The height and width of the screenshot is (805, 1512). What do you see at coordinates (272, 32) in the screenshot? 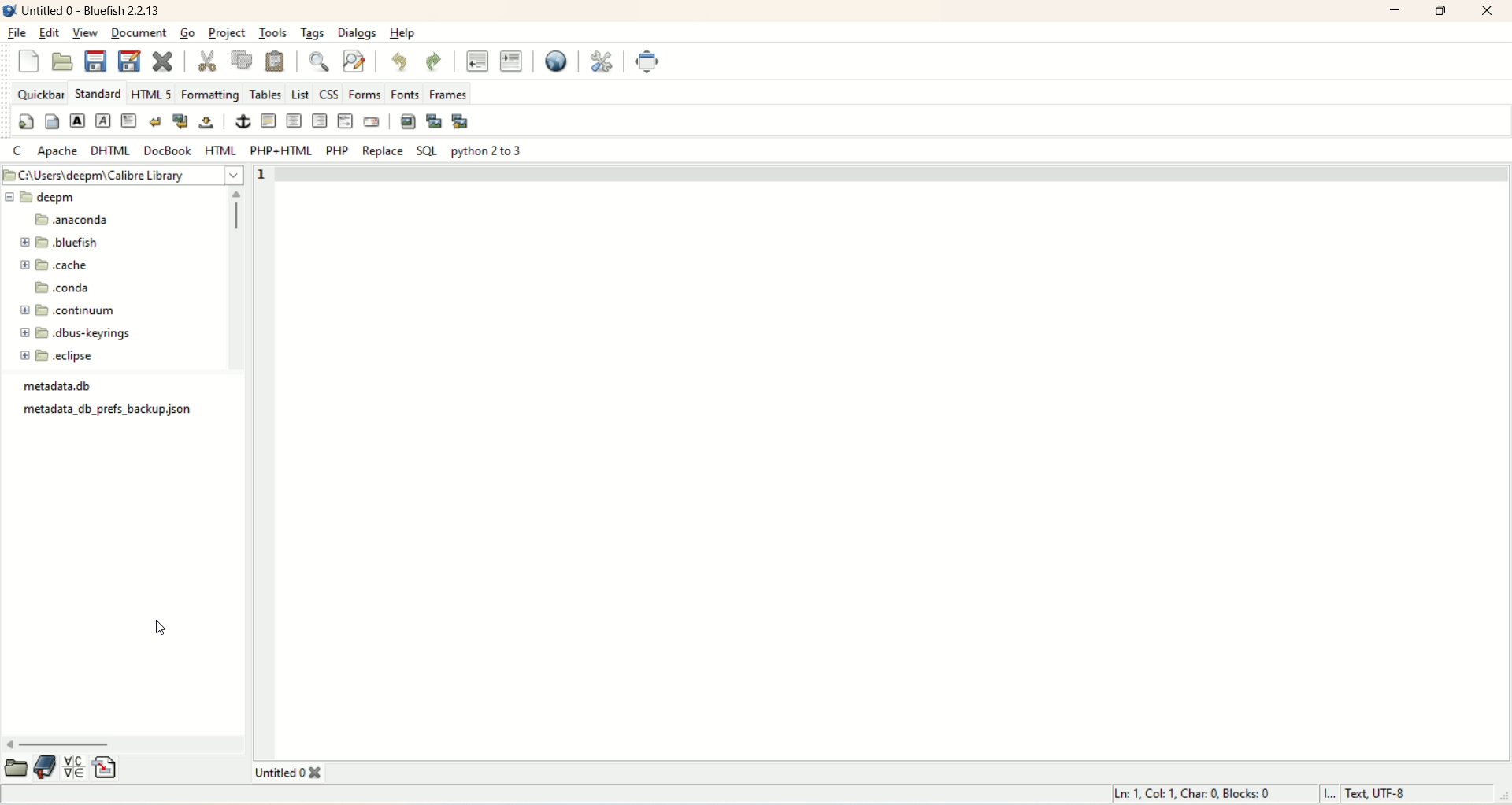
I see `tools` at bounding box center [272, 32].